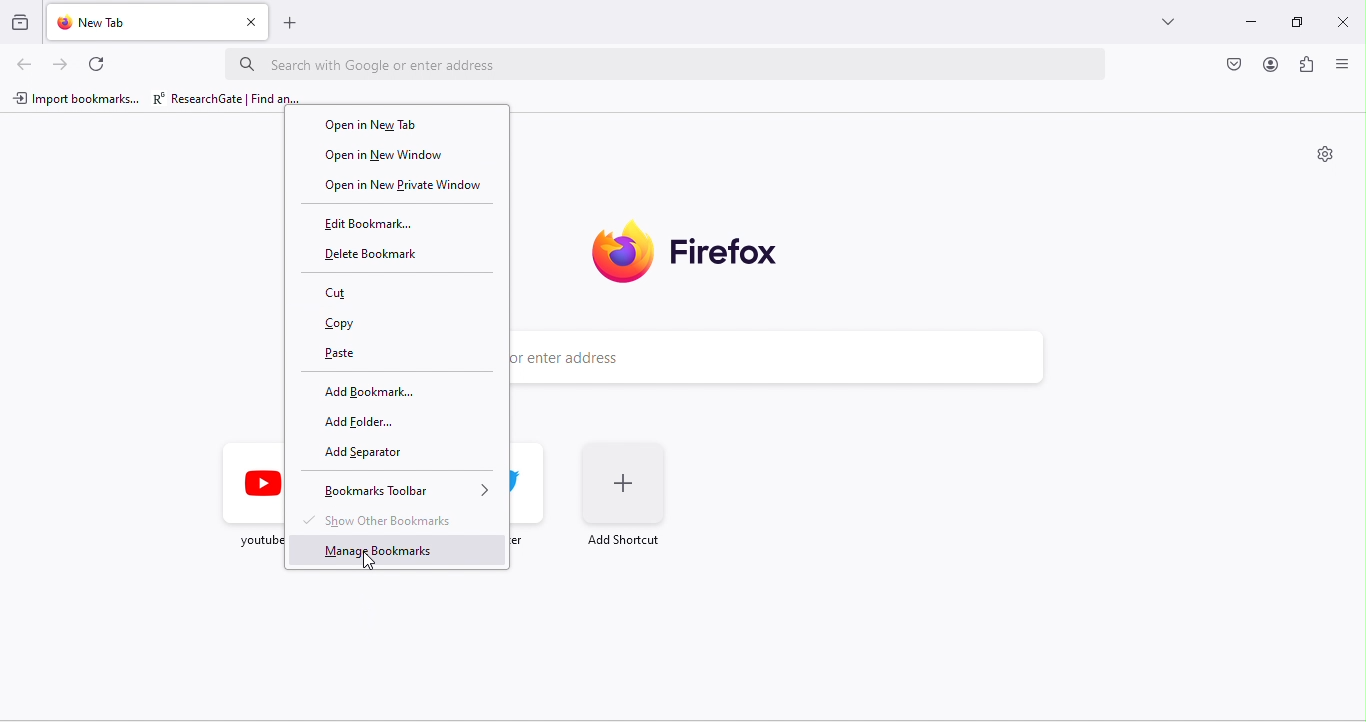  Describe the element at coordinates (24, 25) in the screenshot. I see `View recent browsing across windows and devices` at that location.